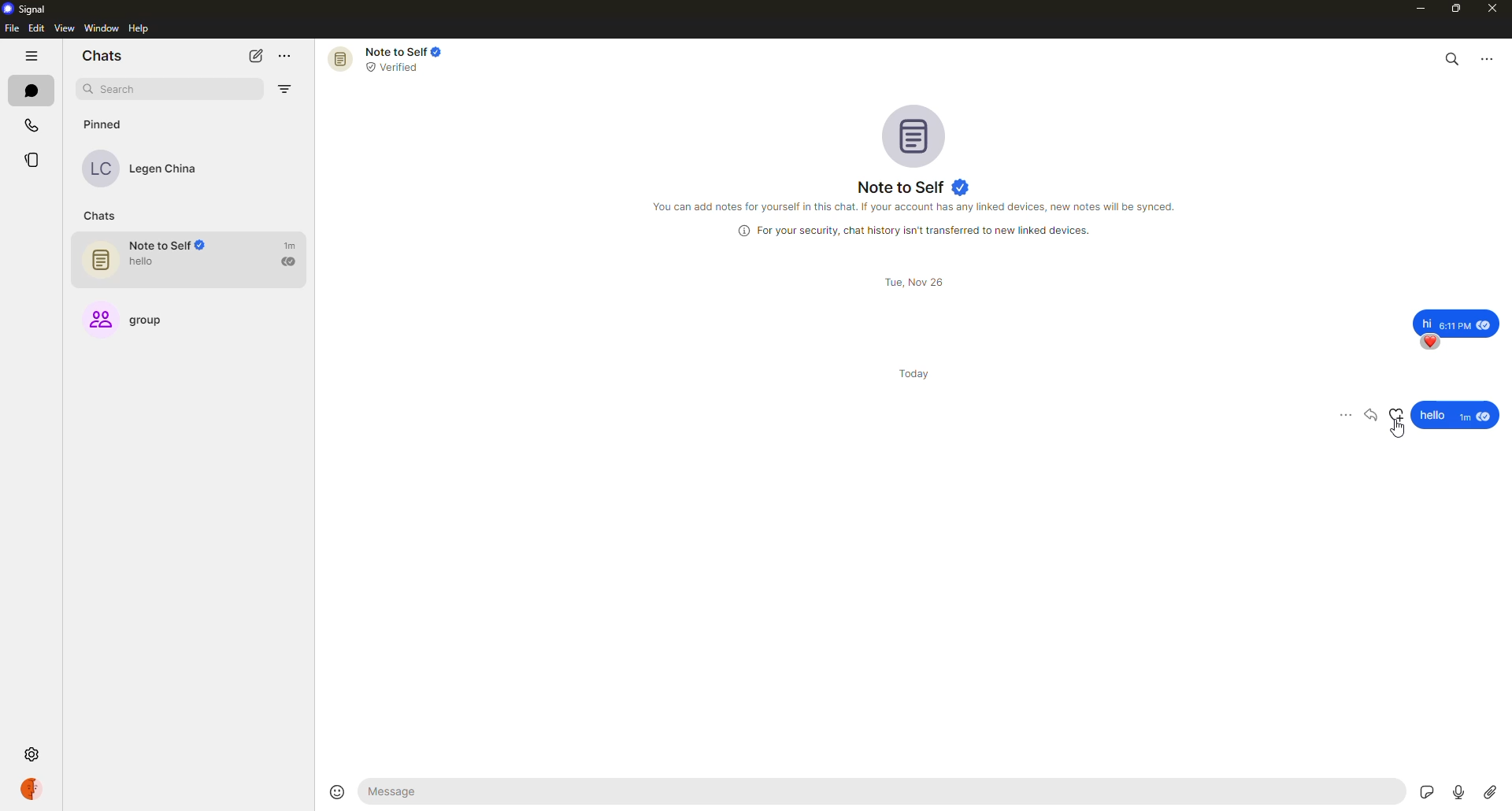 This screenshot has width=1512, height=811. Describe the element at coordinates (1373, 417) in the screenshot. I see `reply` at that location.